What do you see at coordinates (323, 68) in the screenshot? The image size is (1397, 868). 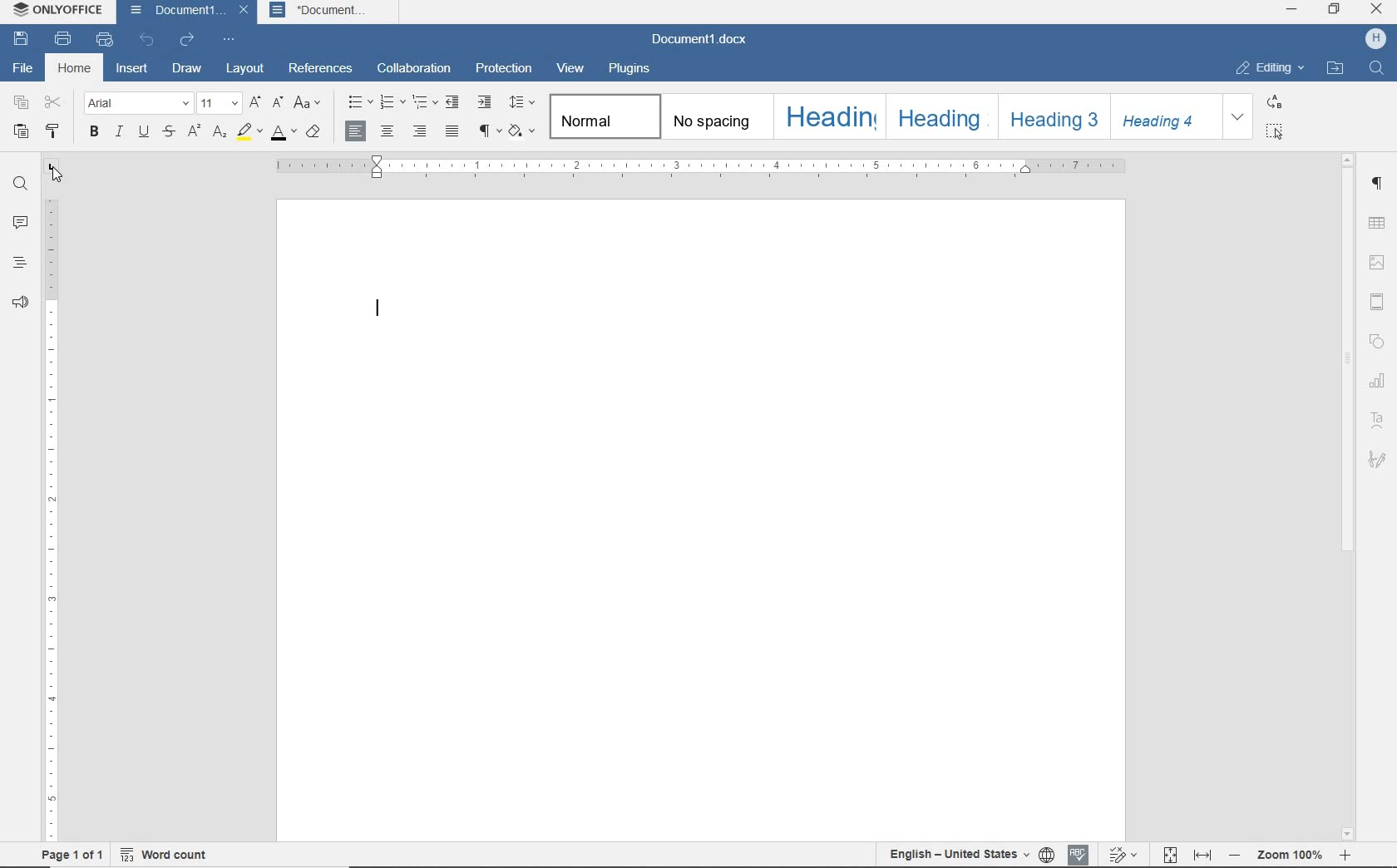 I see `REFERENCES` at bounding box center [323, 68].